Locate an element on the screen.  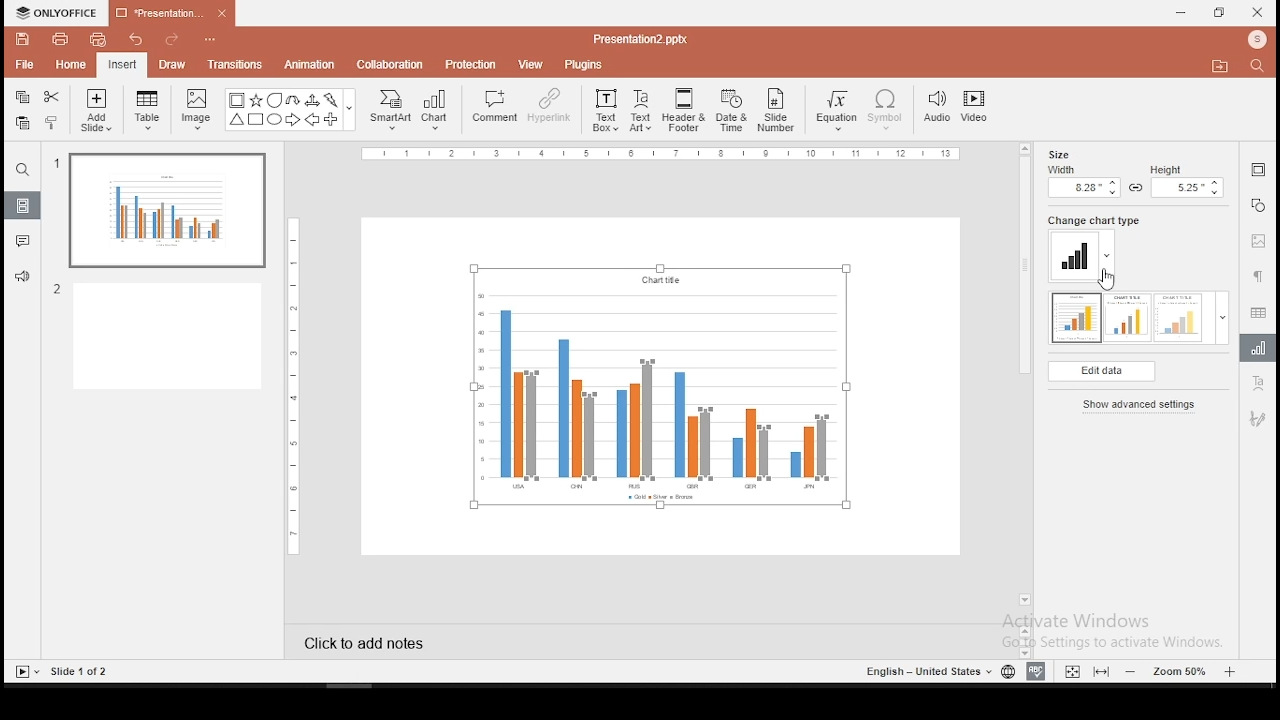
paste is located at coordinates (22, 123).